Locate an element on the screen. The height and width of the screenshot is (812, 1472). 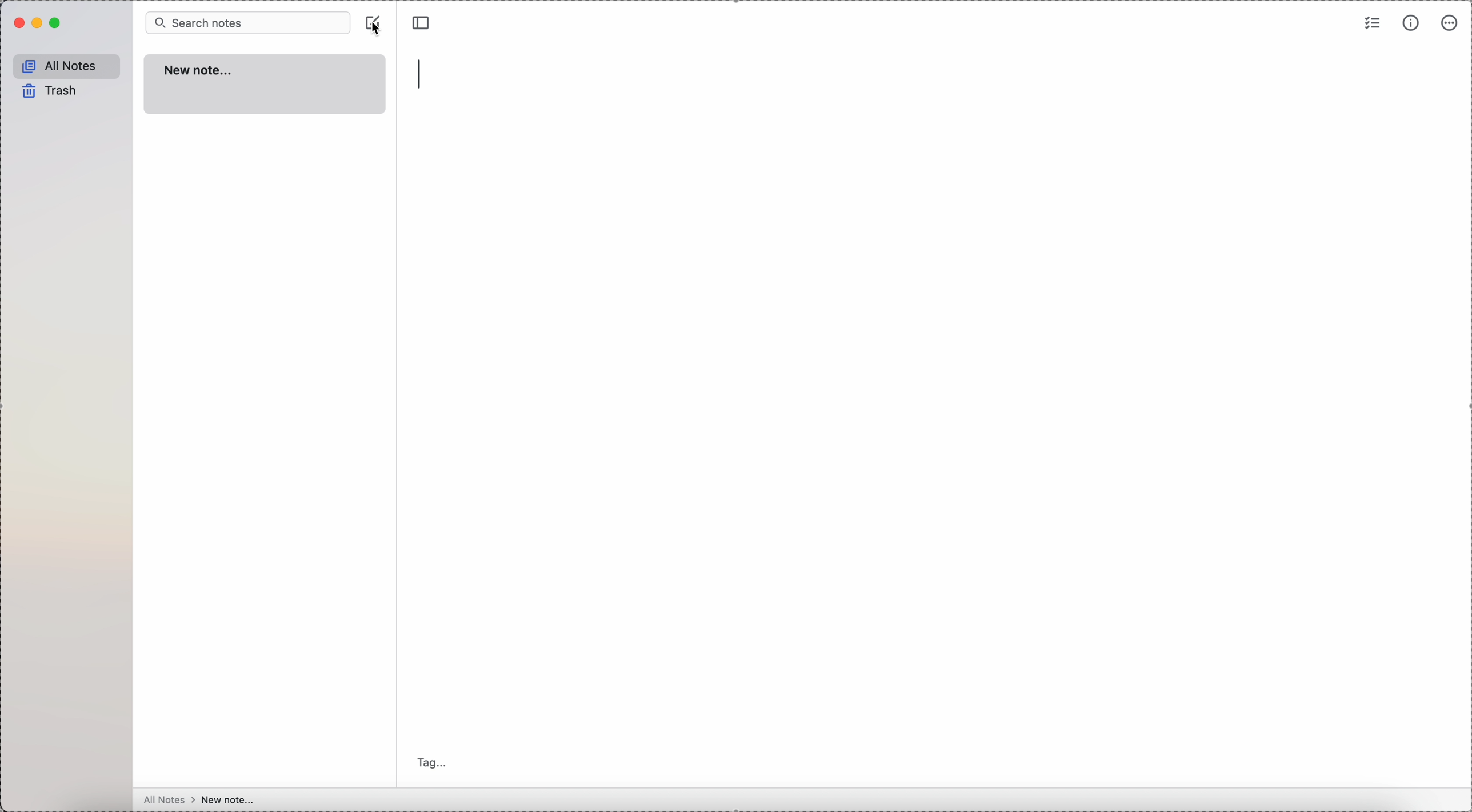
maximize Simplenote is located at coordinates (56, 23).